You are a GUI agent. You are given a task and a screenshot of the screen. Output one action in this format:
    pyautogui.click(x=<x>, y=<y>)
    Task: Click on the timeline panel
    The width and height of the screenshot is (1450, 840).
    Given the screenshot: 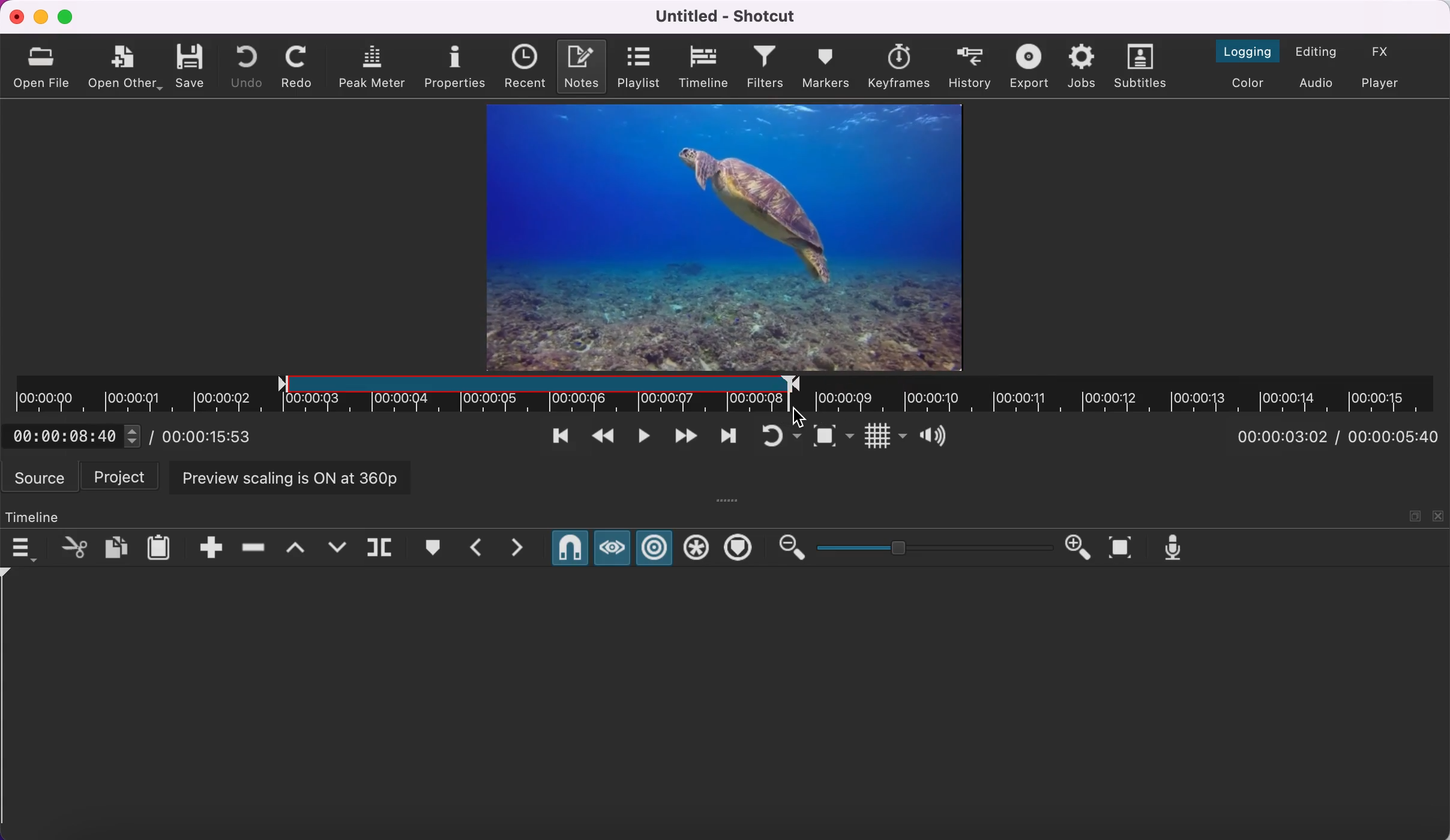 What is the action you would take?
    pyautogui.click(x=34, y=517)
    